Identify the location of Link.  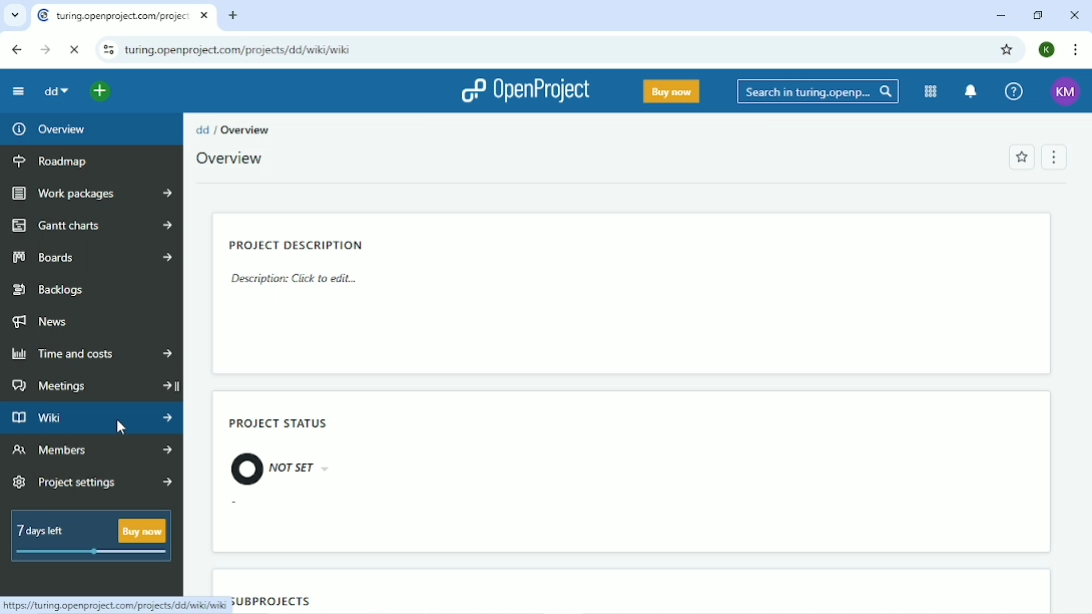
(114, 605).